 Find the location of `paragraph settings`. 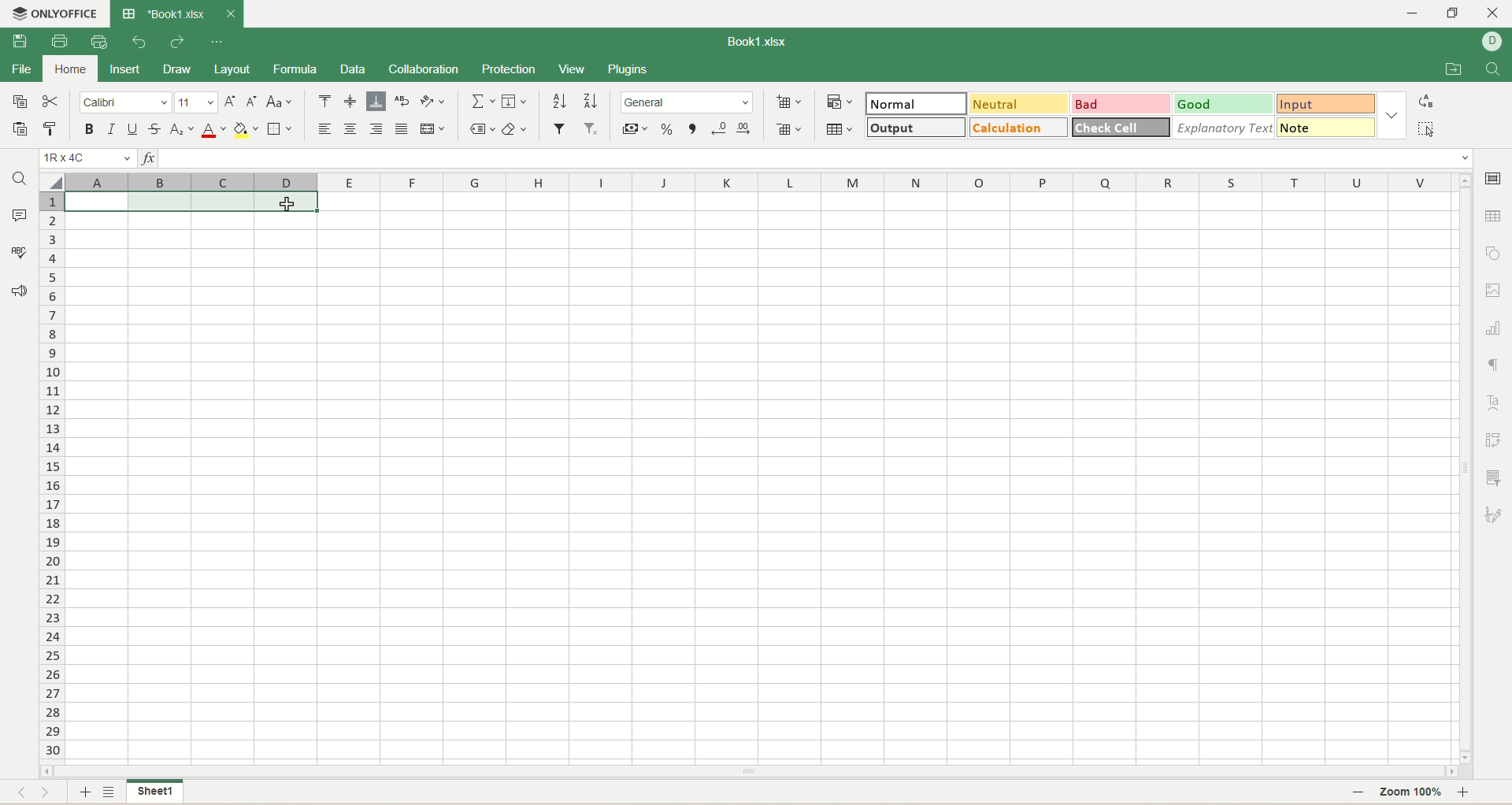

paragraph settings is located at coordinates (1494, 361).